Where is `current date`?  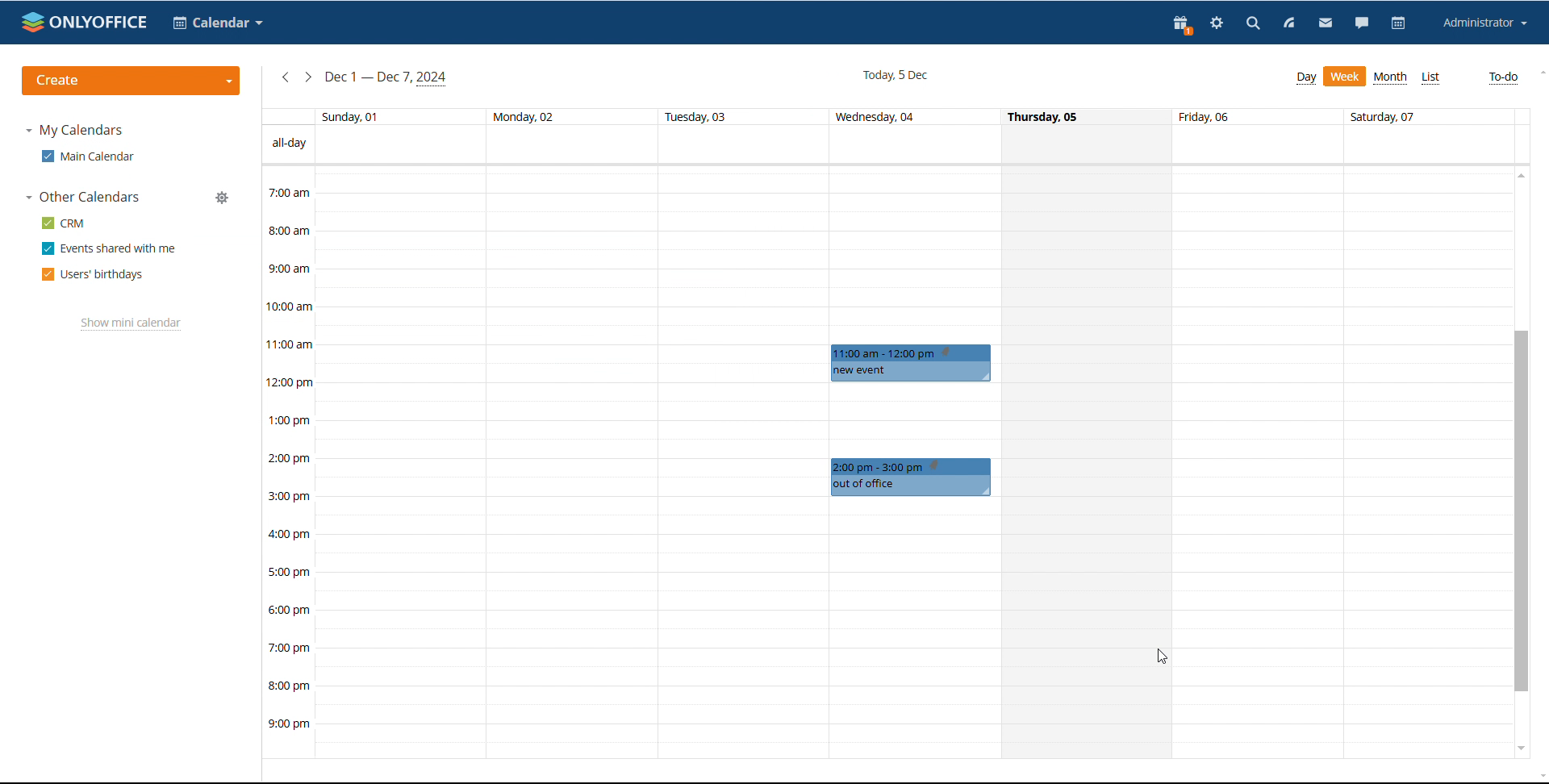 current date is located at coordinates (894, 76).